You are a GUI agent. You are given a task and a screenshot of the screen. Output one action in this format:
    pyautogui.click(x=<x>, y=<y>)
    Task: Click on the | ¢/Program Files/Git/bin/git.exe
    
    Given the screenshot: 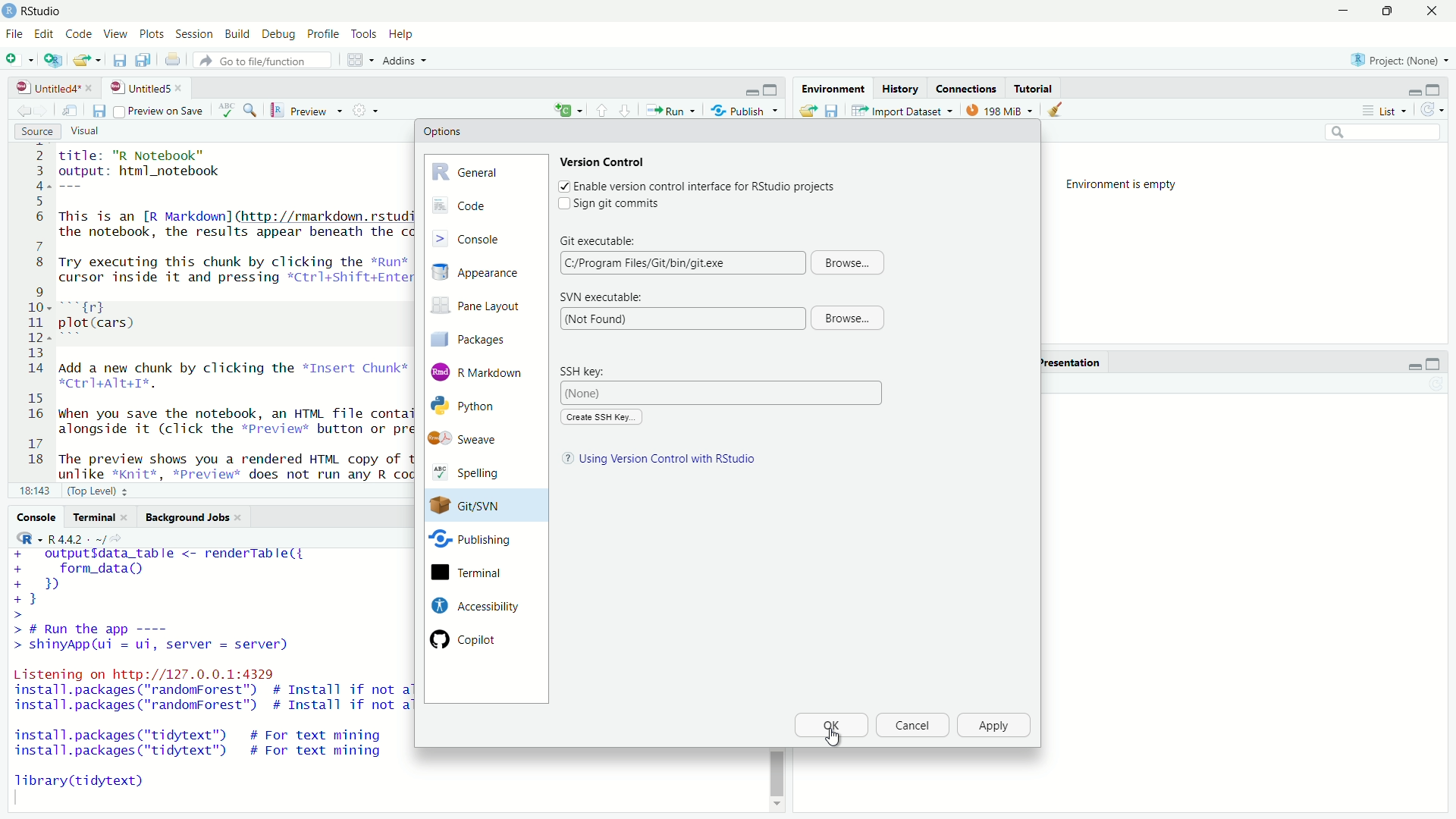 What is the action you would take?
    pyautogui.click(x=680, y=262)
    